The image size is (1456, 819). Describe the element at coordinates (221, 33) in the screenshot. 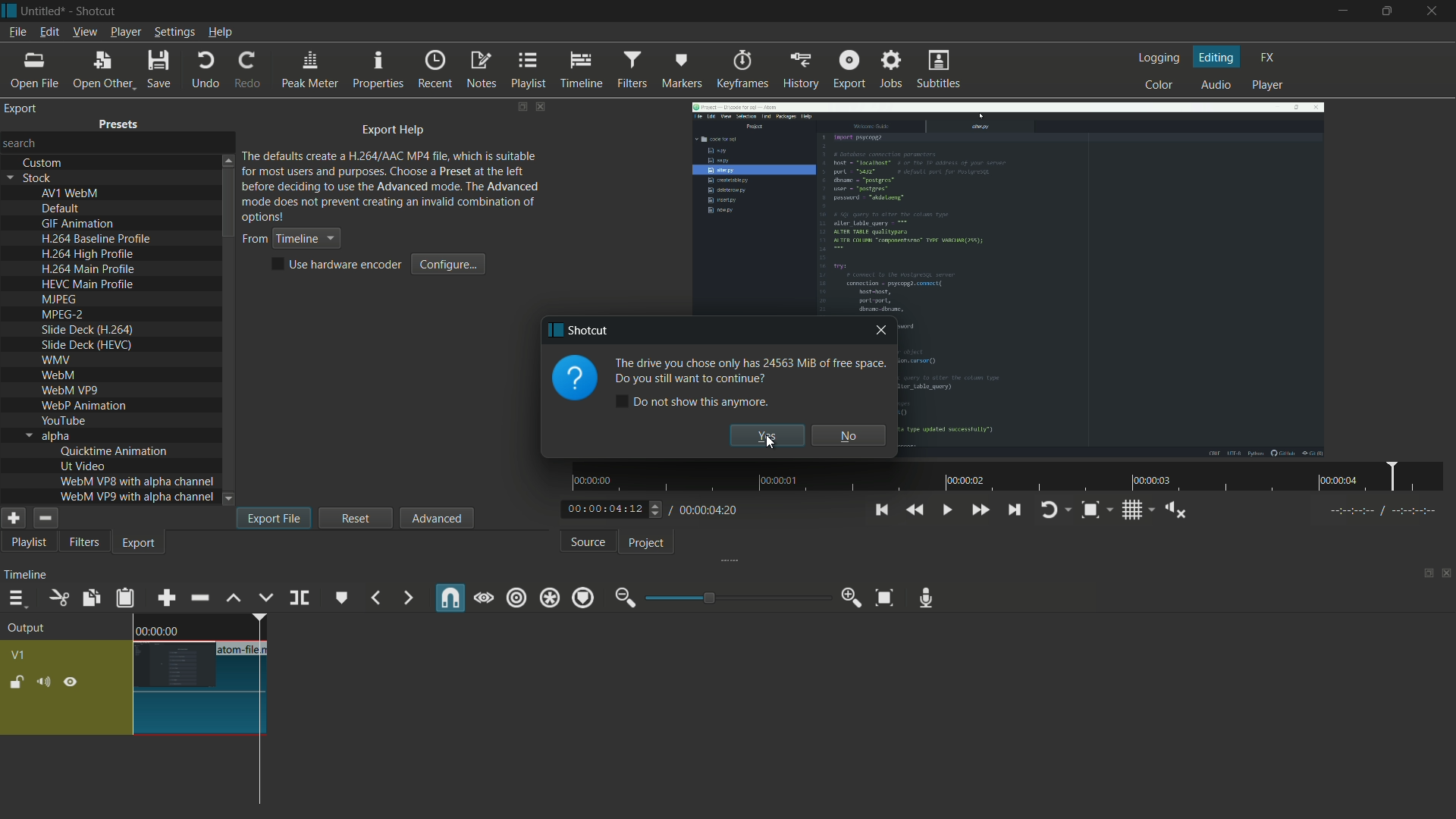

I see `help menu` at that location.